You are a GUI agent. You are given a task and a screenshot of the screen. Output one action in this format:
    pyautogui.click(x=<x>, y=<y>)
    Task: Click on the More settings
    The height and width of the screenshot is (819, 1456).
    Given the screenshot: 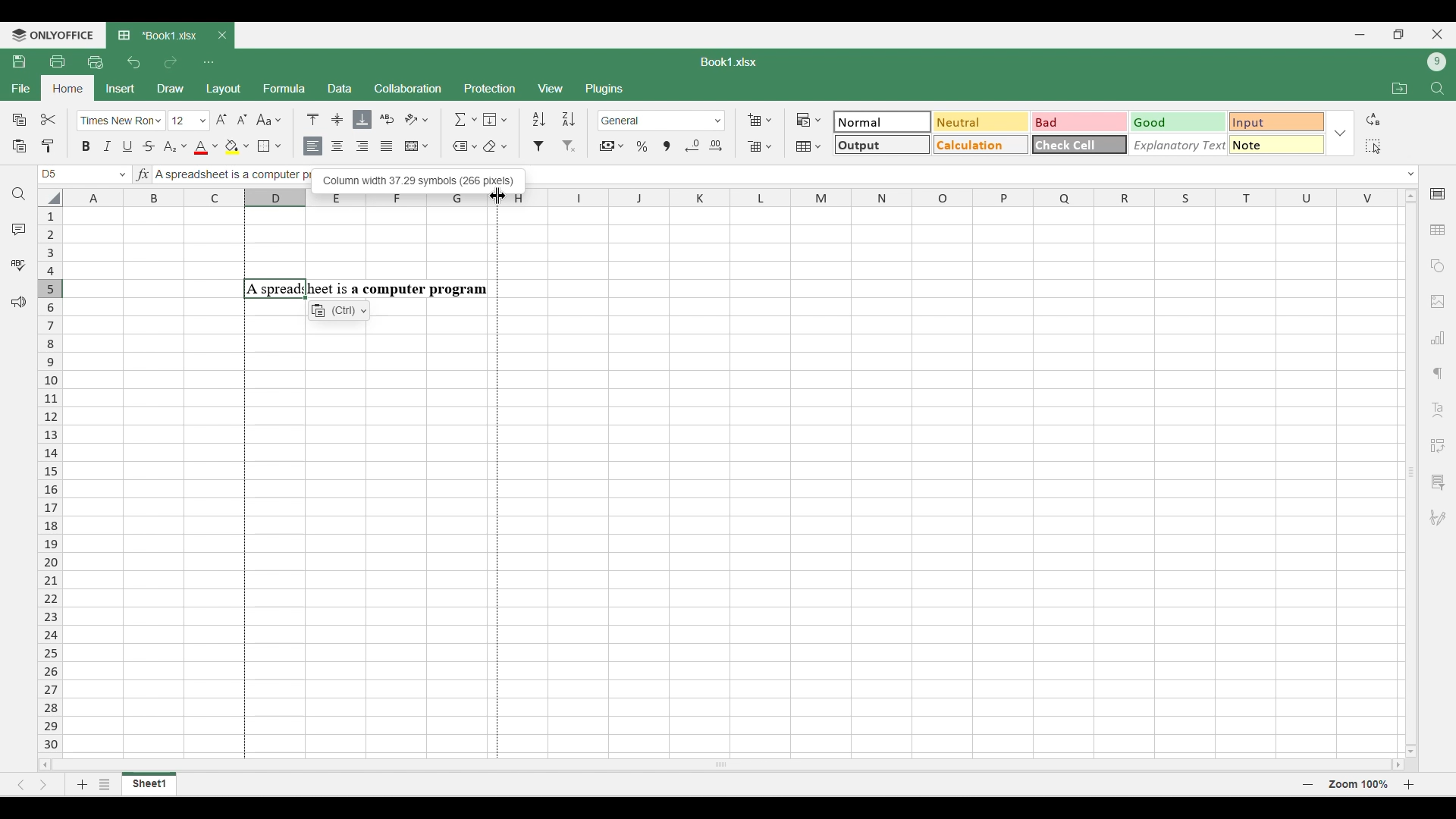 What is the action you would take?
    pyautogui.click(x=1437, y=482)
    